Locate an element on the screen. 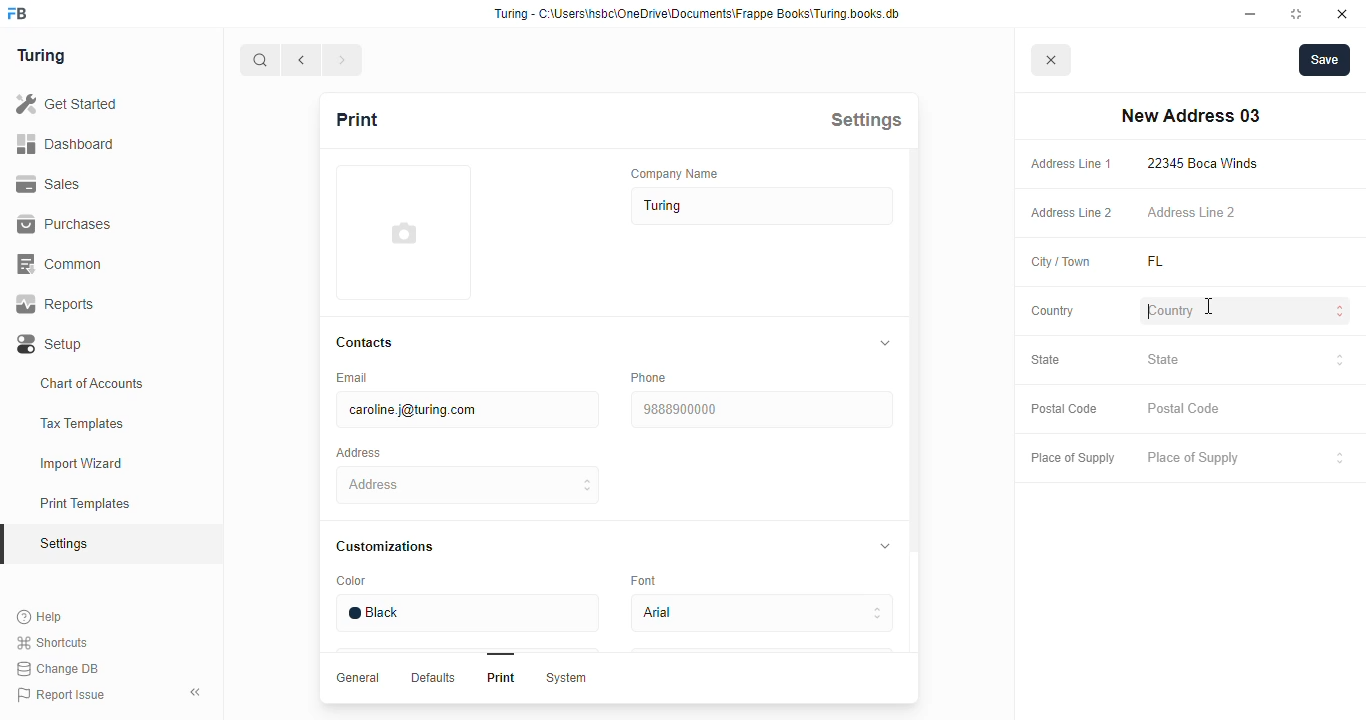 The image size is (1366, 720). color is located at coordinates (351, 581).